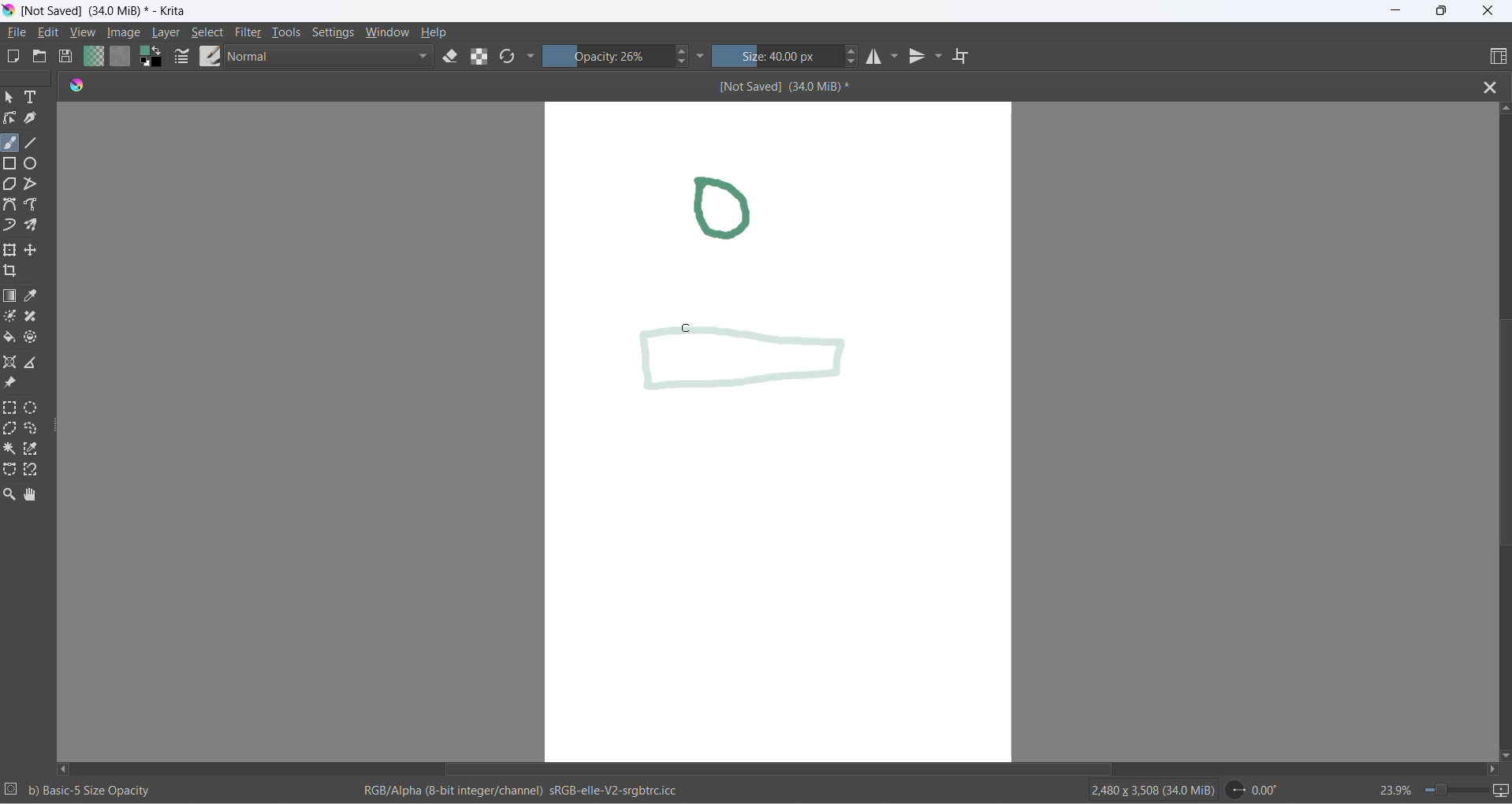  I want to click on measure the distance between two points, so click(37, 362).